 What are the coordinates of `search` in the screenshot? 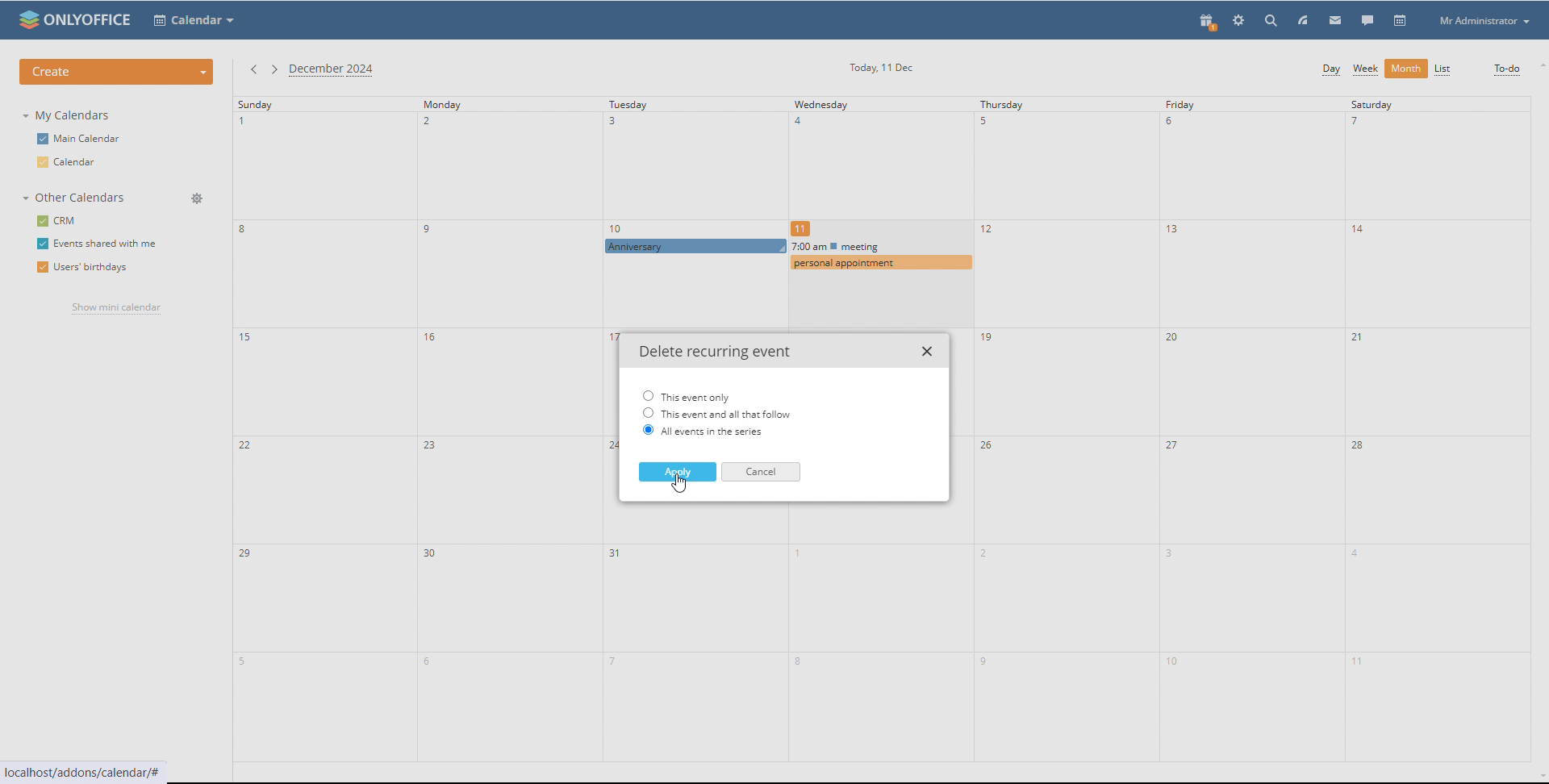 It's located at (1273, 20).